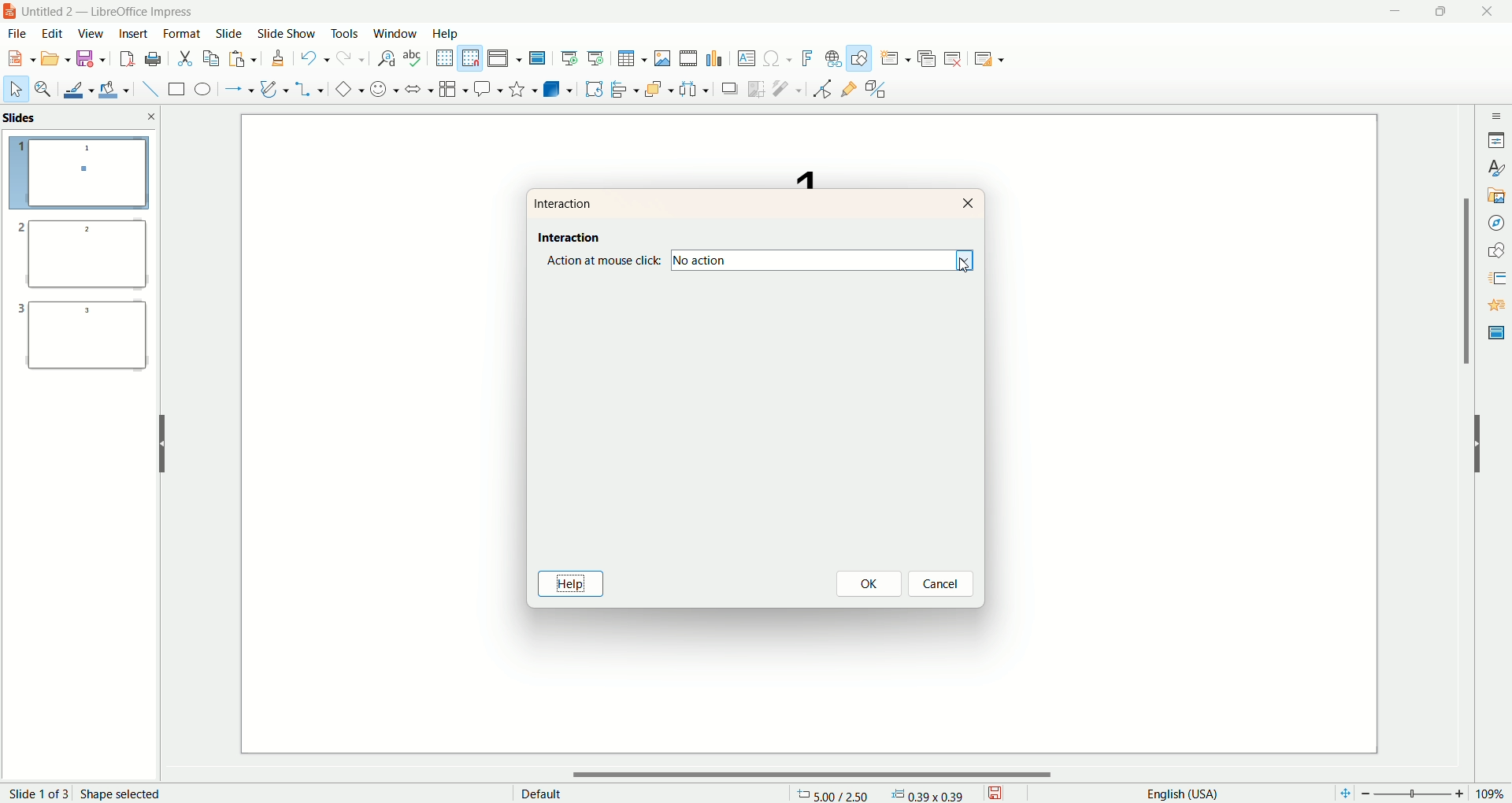 This screenshot has height=803, width=1512. What do you see at coordinates (1395, 12) in the screenshot?
I see `minimize` at bounding box center [1395, 12].